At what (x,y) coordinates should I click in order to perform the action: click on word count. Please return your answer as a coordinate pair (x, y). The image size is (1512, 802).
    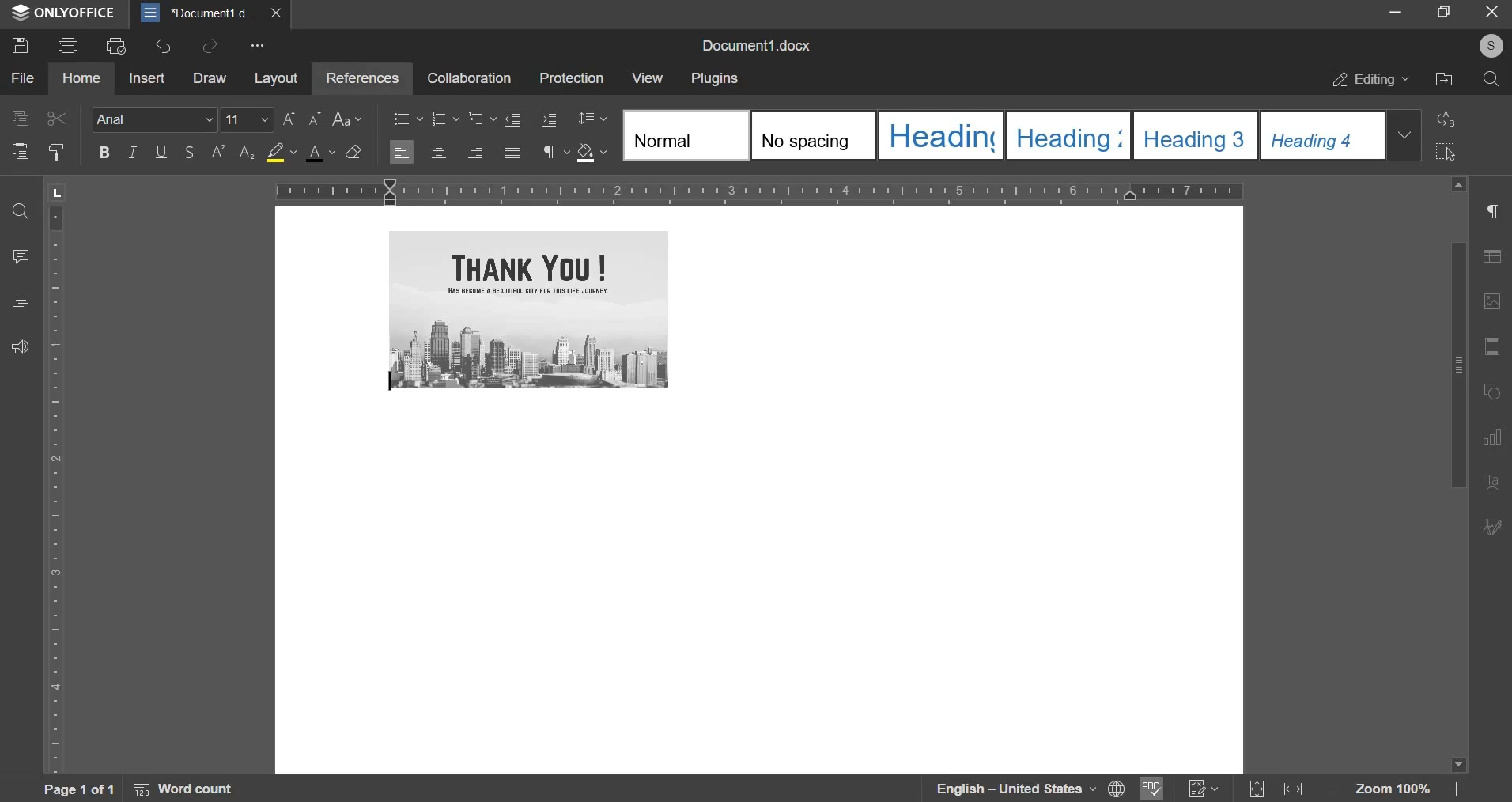
    Looking at the image, I should click on (193, 791).